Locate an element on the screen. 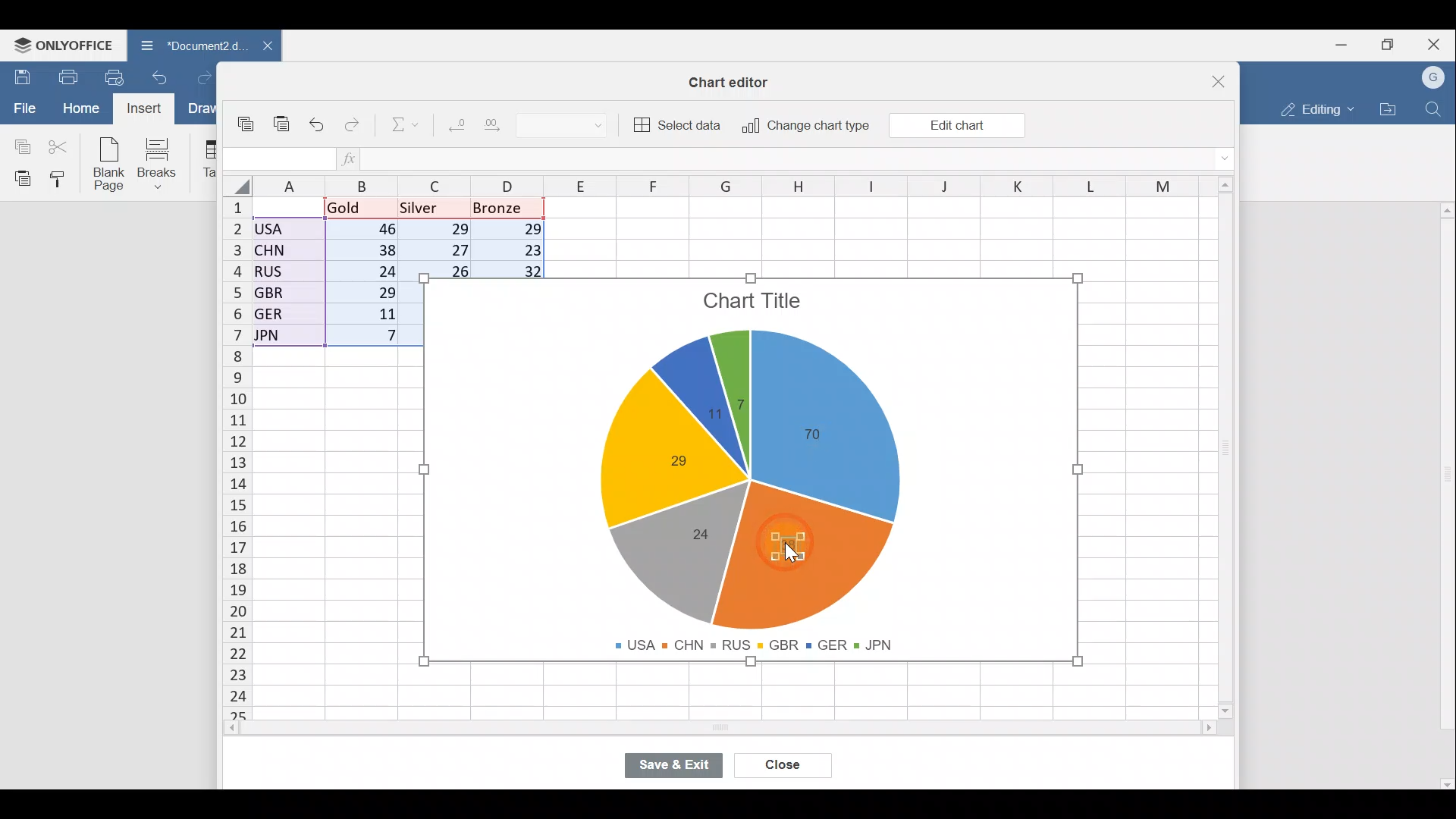  Document name is located at coordinates (188, 47).